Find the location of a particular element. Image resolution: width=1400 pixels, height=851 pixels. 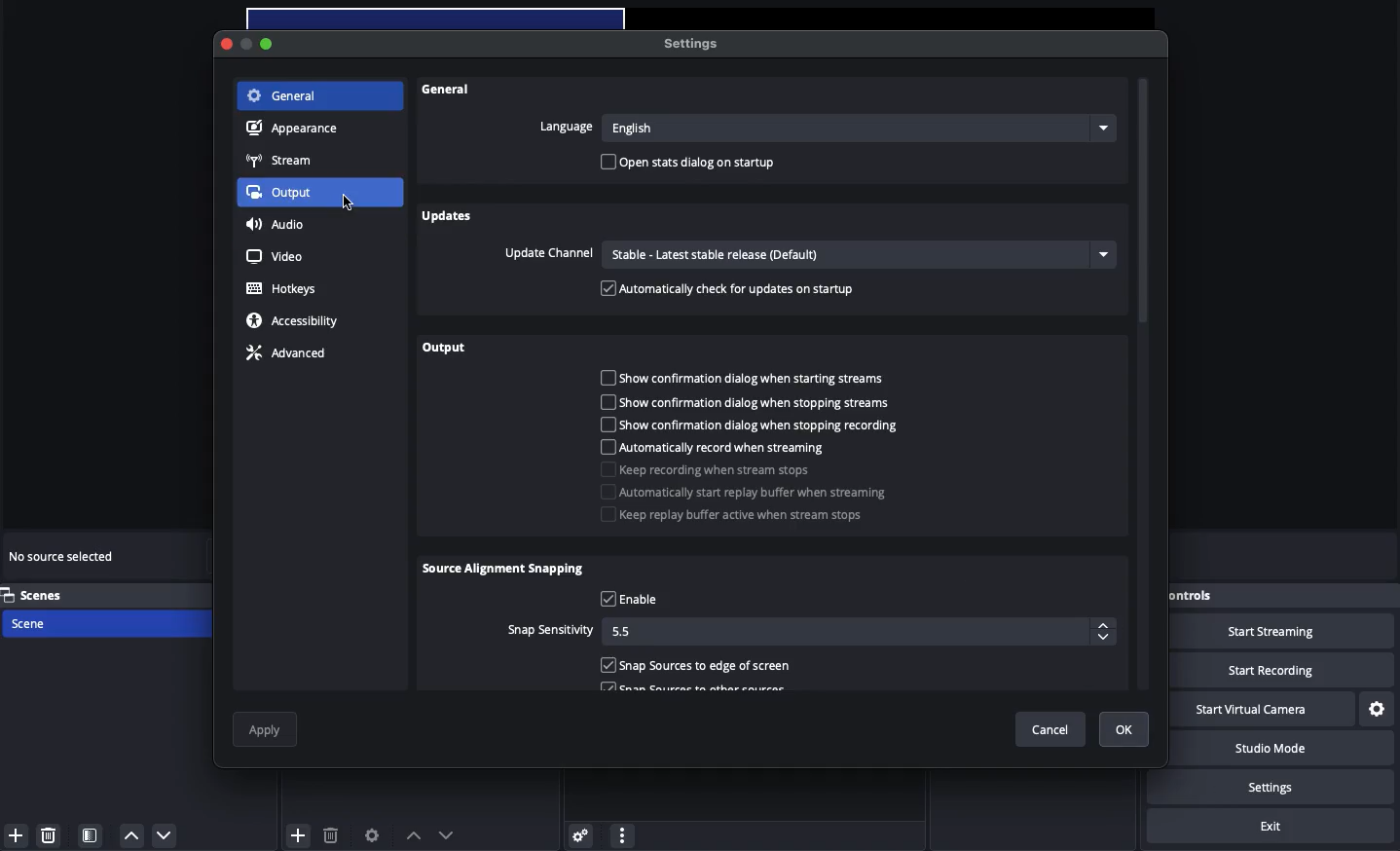

Hotkeys is located at coordinates (285, 289).